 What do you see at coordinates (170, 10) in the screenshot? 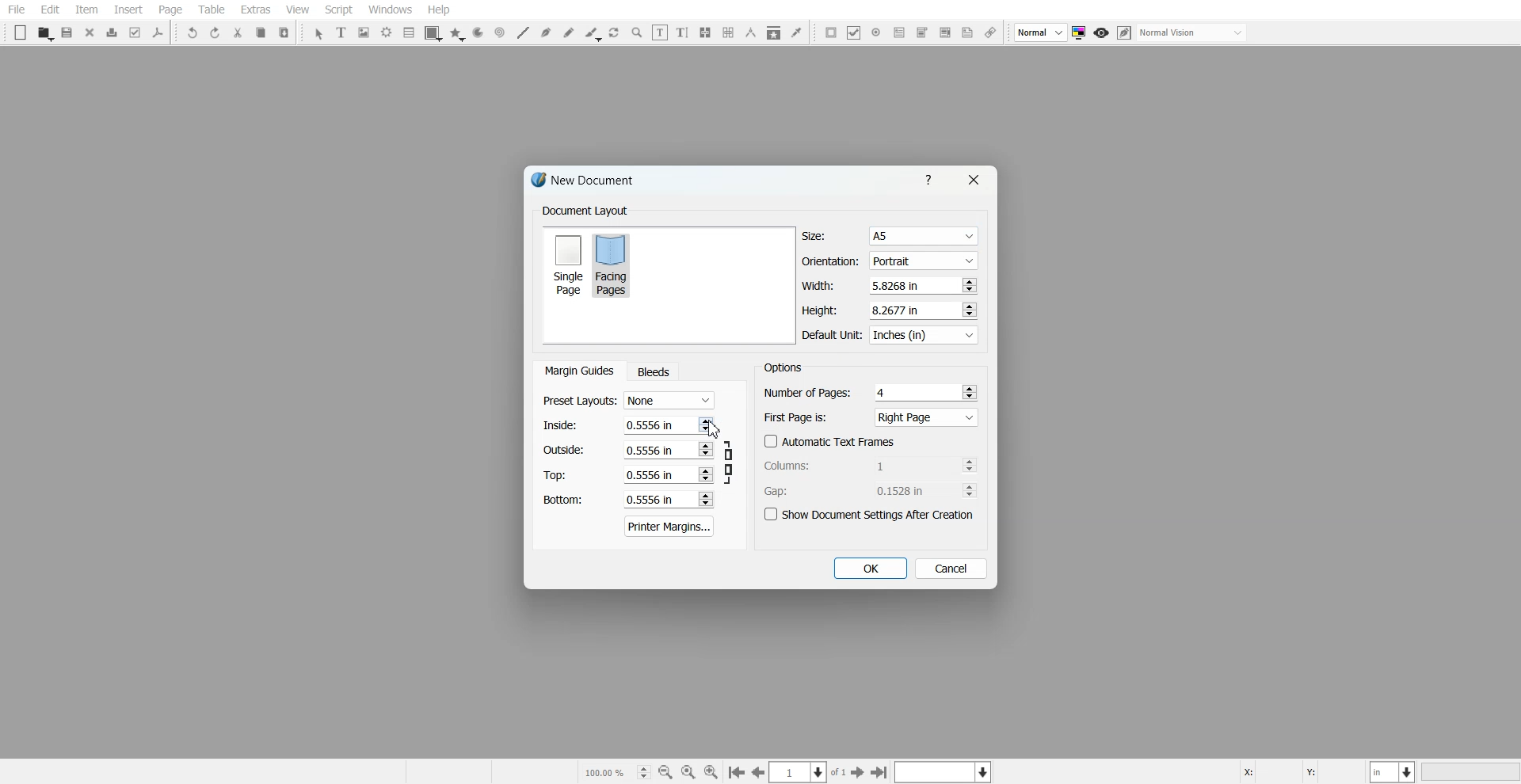
I see `Page` at bounding box center [170, 10].